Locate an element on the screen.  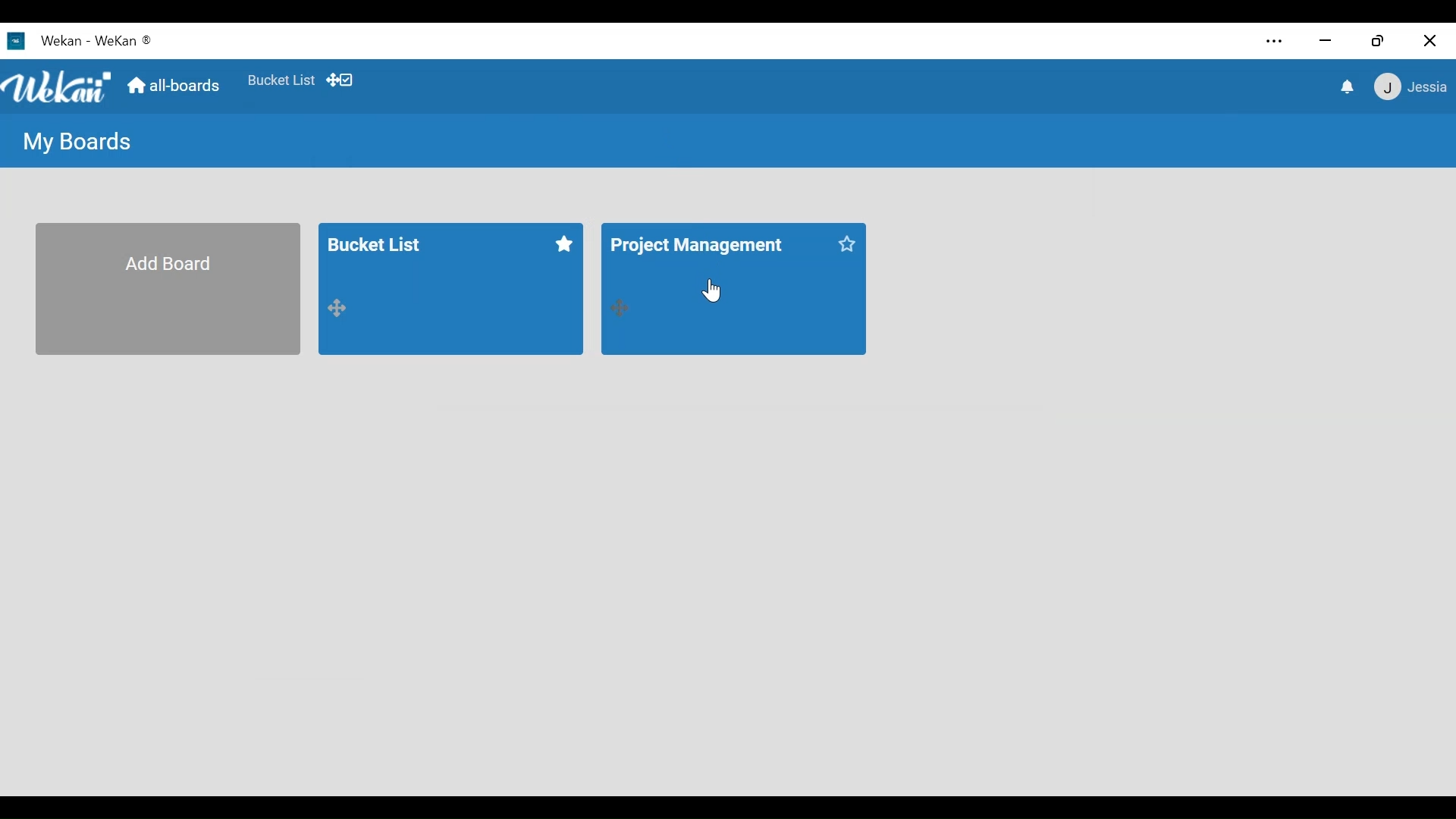
Cursor is located at coordinates (717, 291).